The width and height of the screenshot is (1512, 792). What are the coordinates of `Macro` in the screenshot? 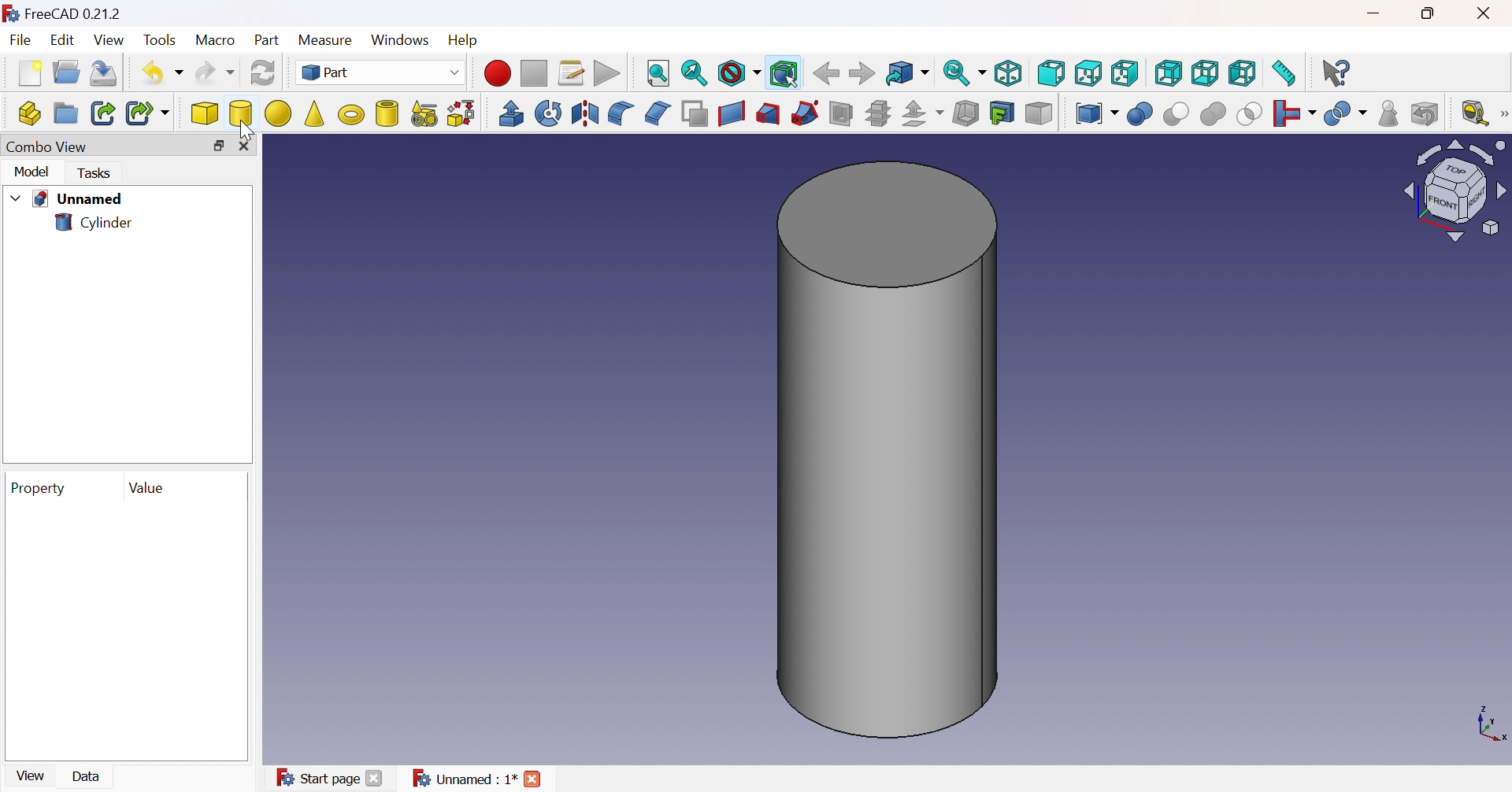 It's located at (217, 43).